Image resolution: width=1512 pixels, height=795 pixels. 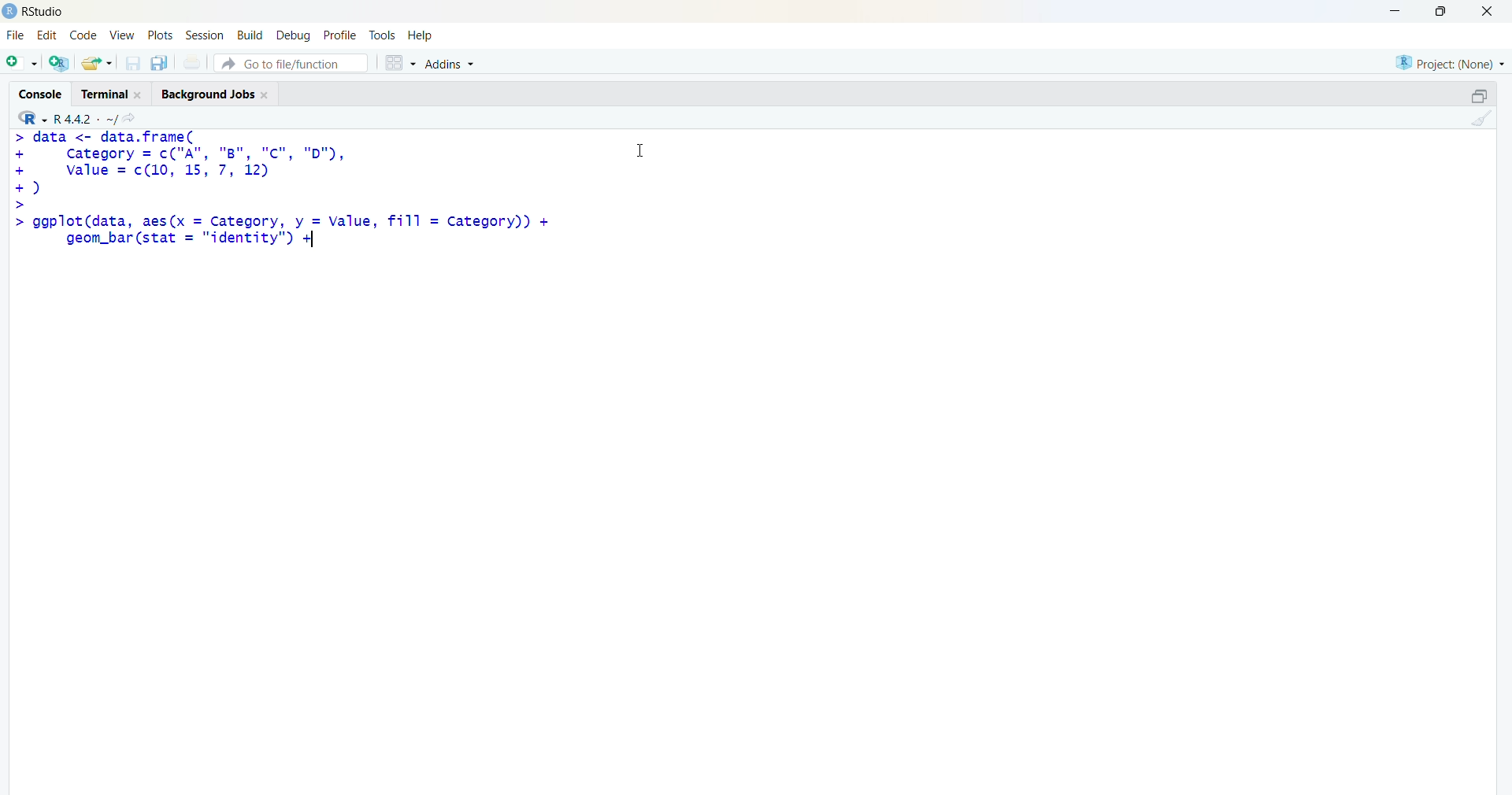 What do you see at coordinates (1452, 62) in the screenshot?
I see `selected project - none` at bounding box center [1452, 62].